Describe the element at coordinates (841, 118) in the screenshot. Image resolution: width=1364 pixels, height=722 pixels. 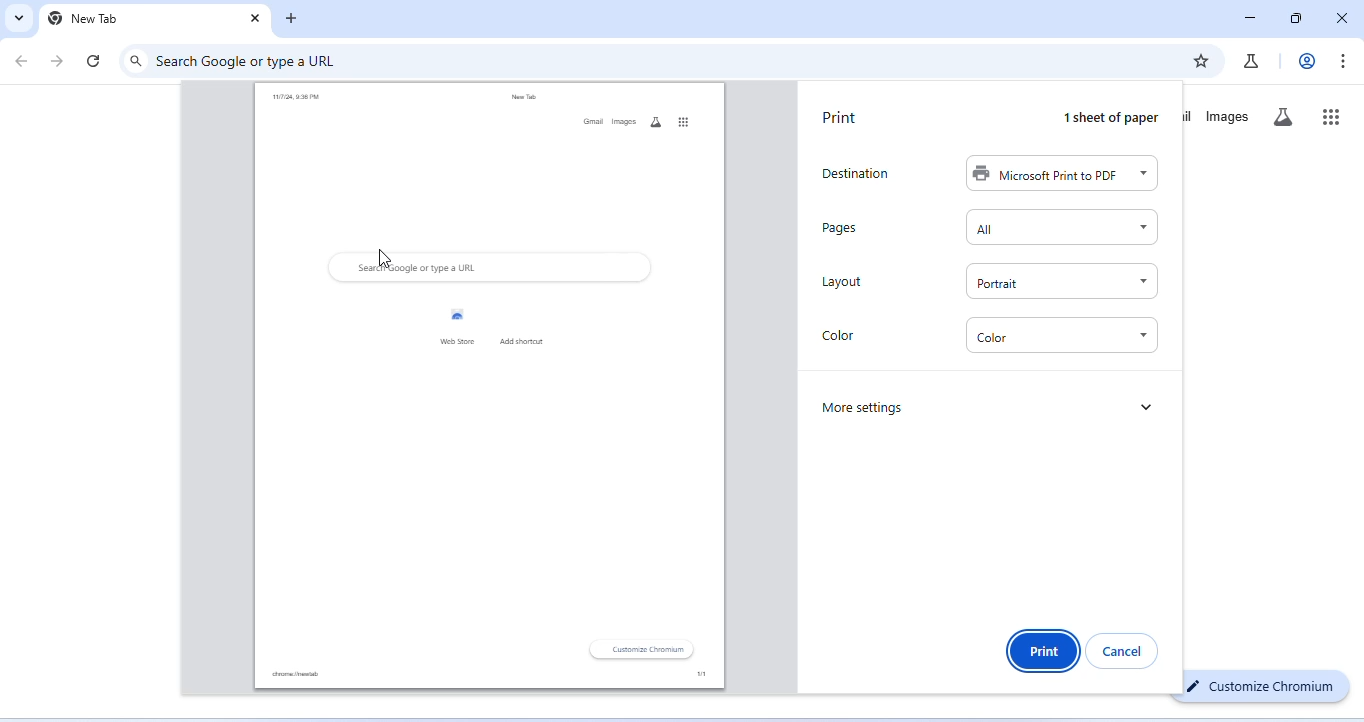
I see `print` at that location.